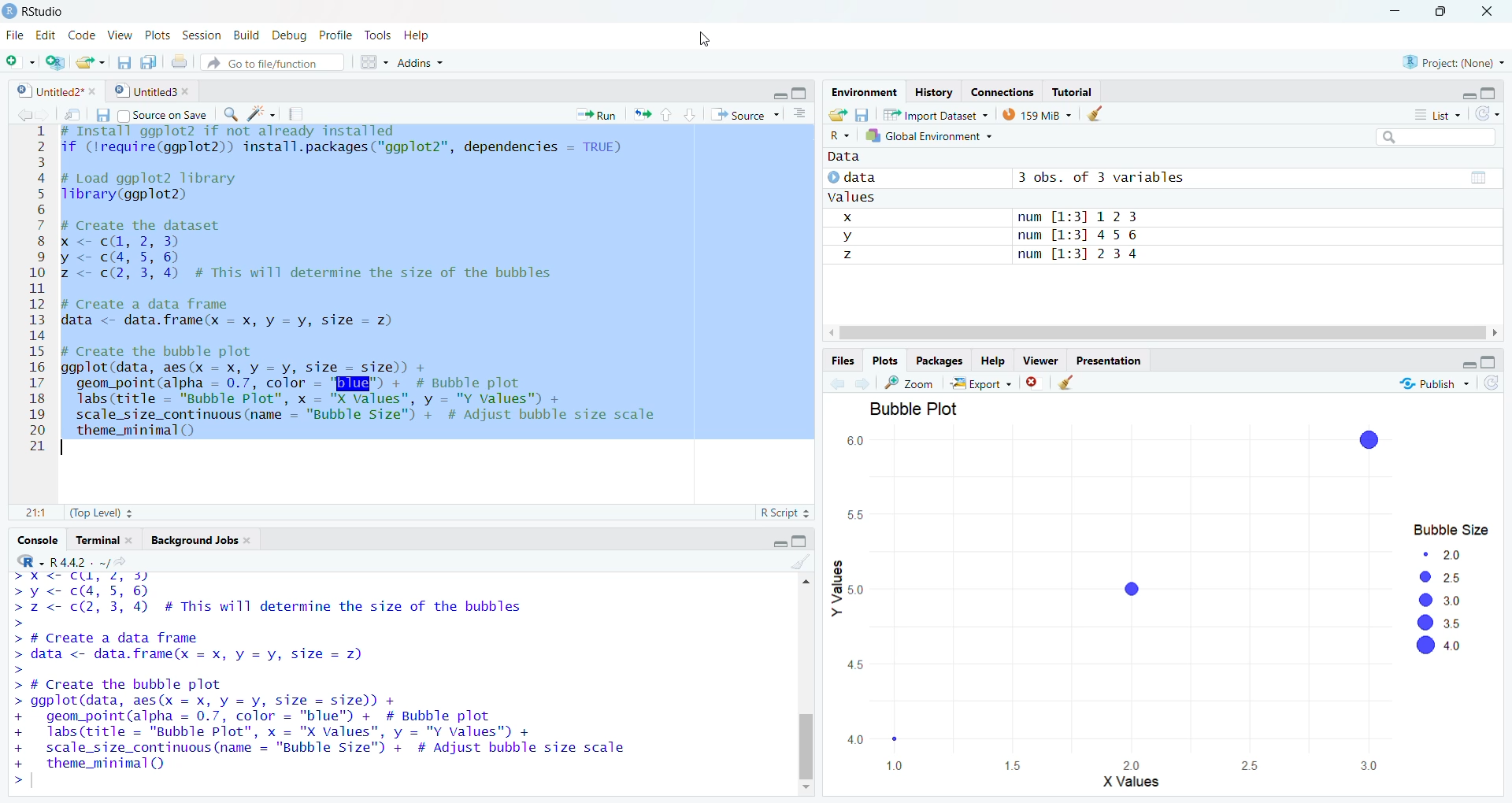  I want to click on Find/Replace, so click(230, 115).